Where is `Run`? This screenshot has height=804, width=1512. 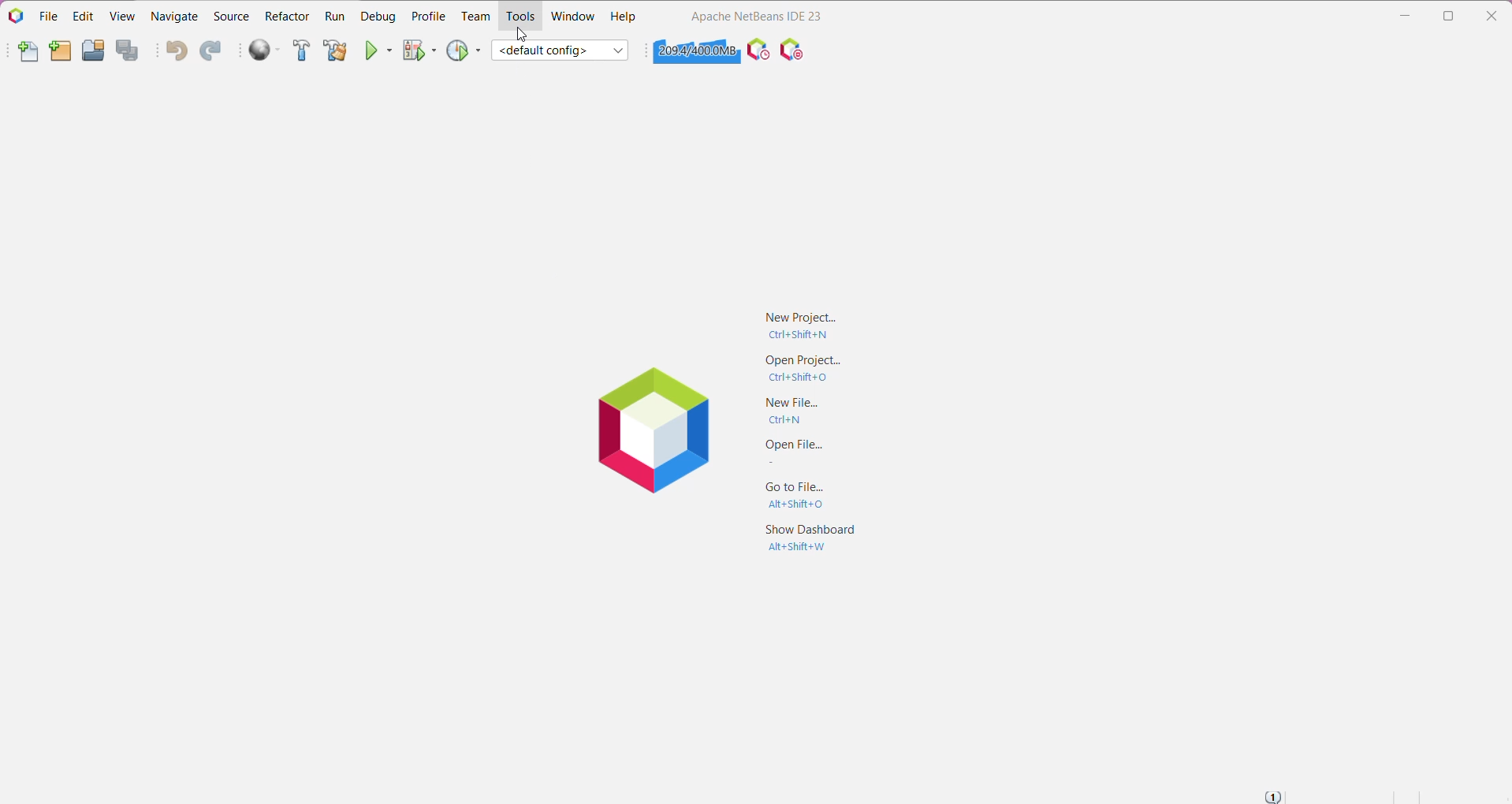 Run is located at coordinates (334, 17).